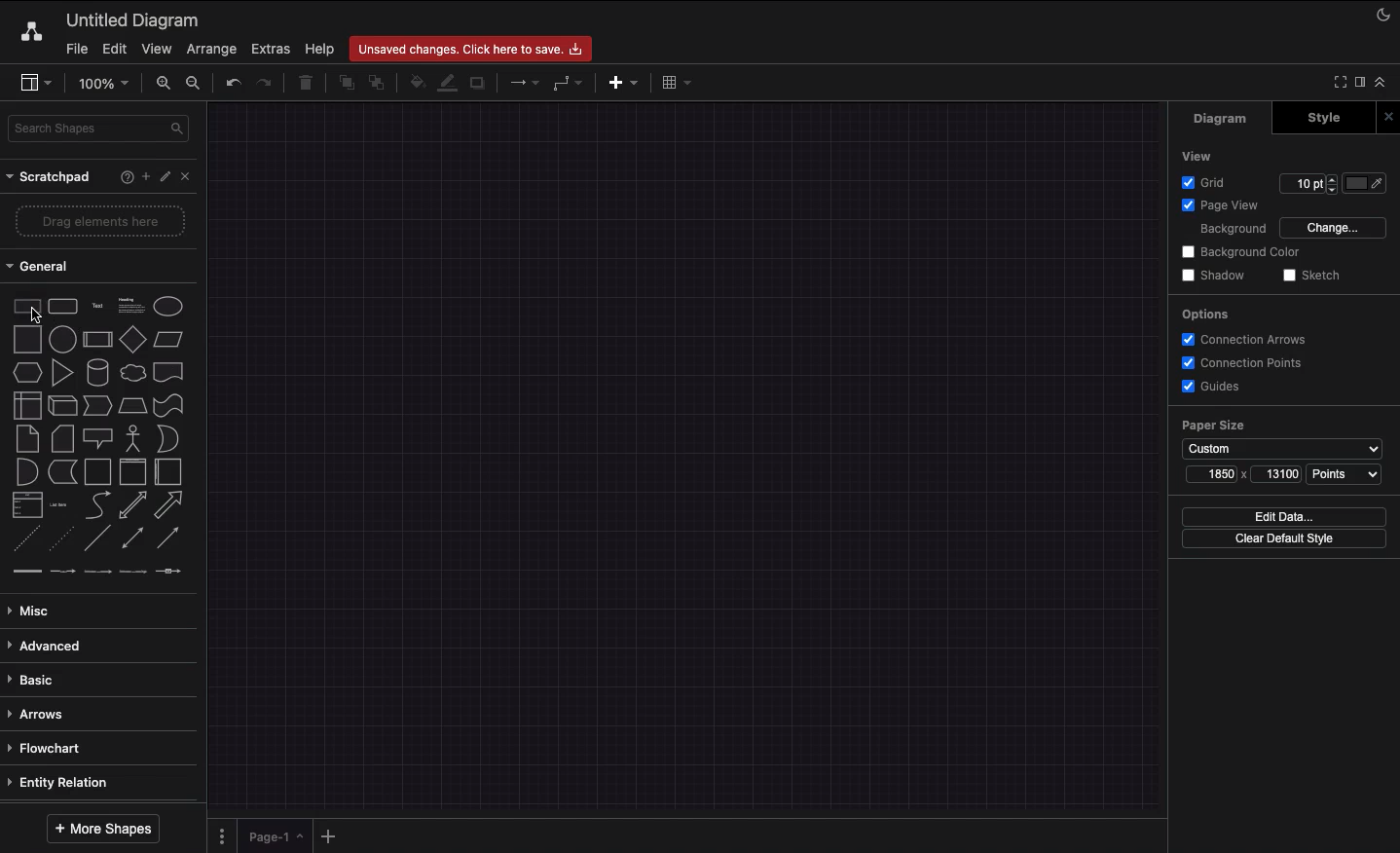  I want to click on Edit data, so click(1284, 517).